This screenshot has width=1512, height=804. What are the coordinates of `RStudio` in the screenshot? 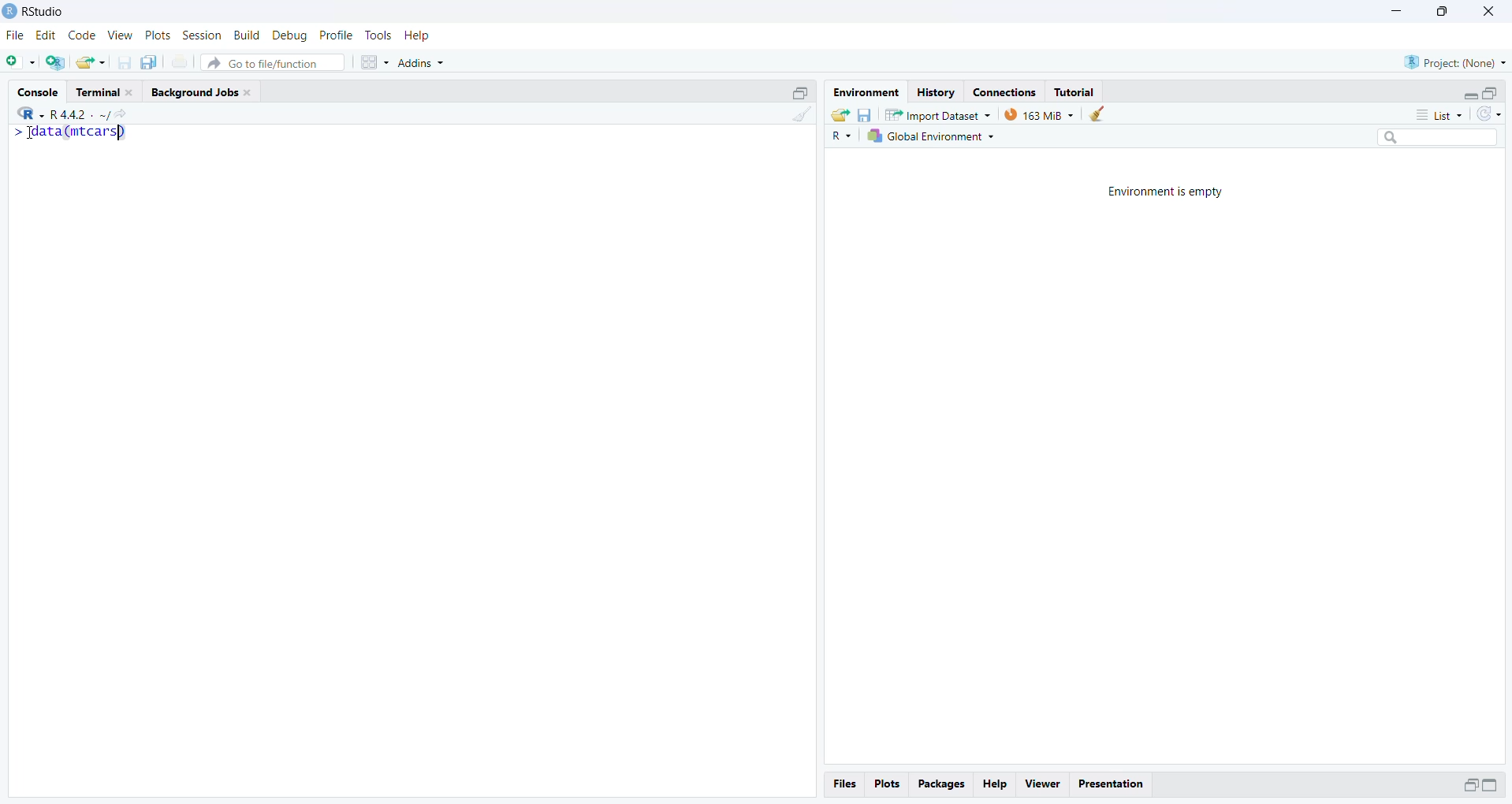 It's located at (47, 12).